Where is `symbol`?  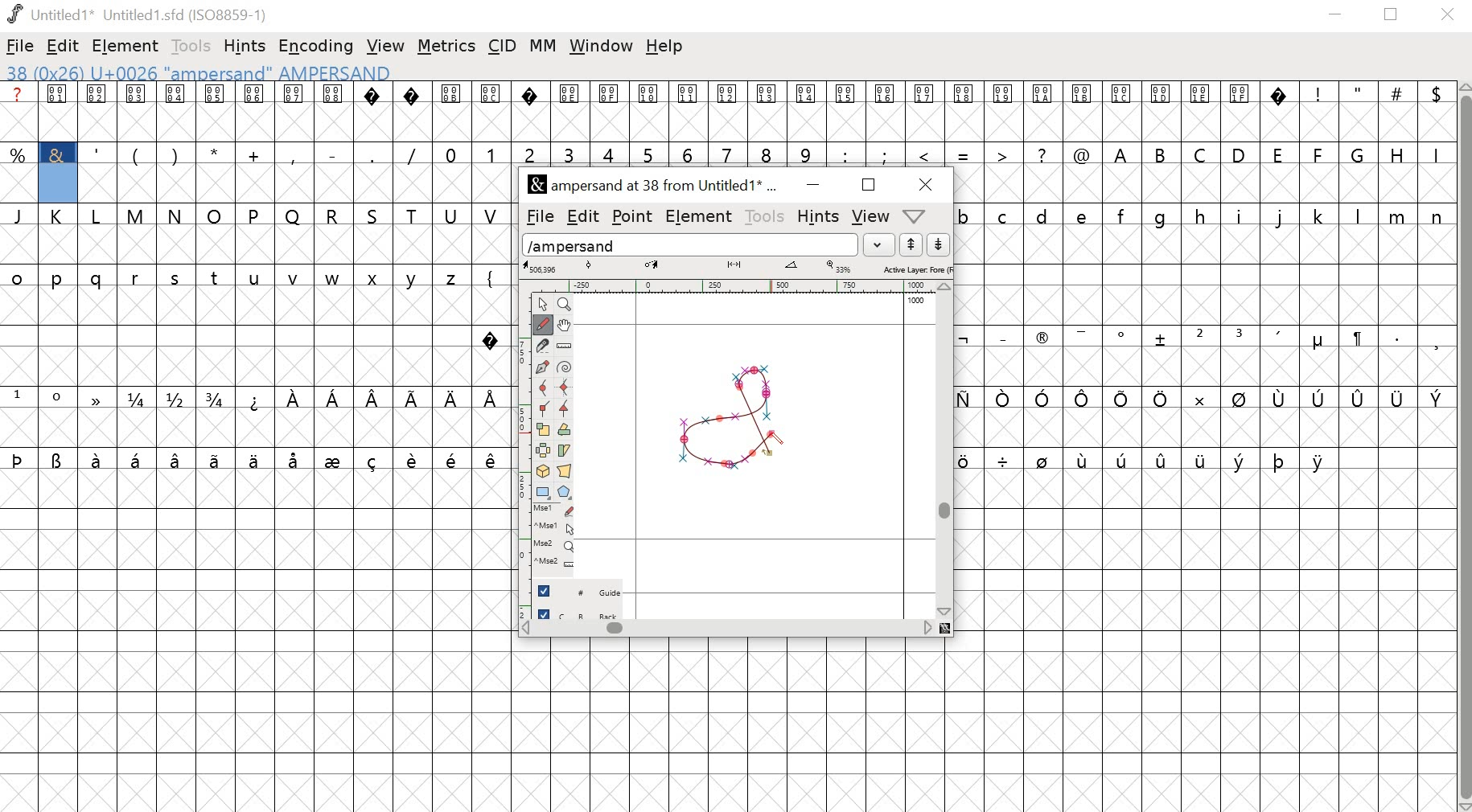
symbol is located at coordinates (454, 459).